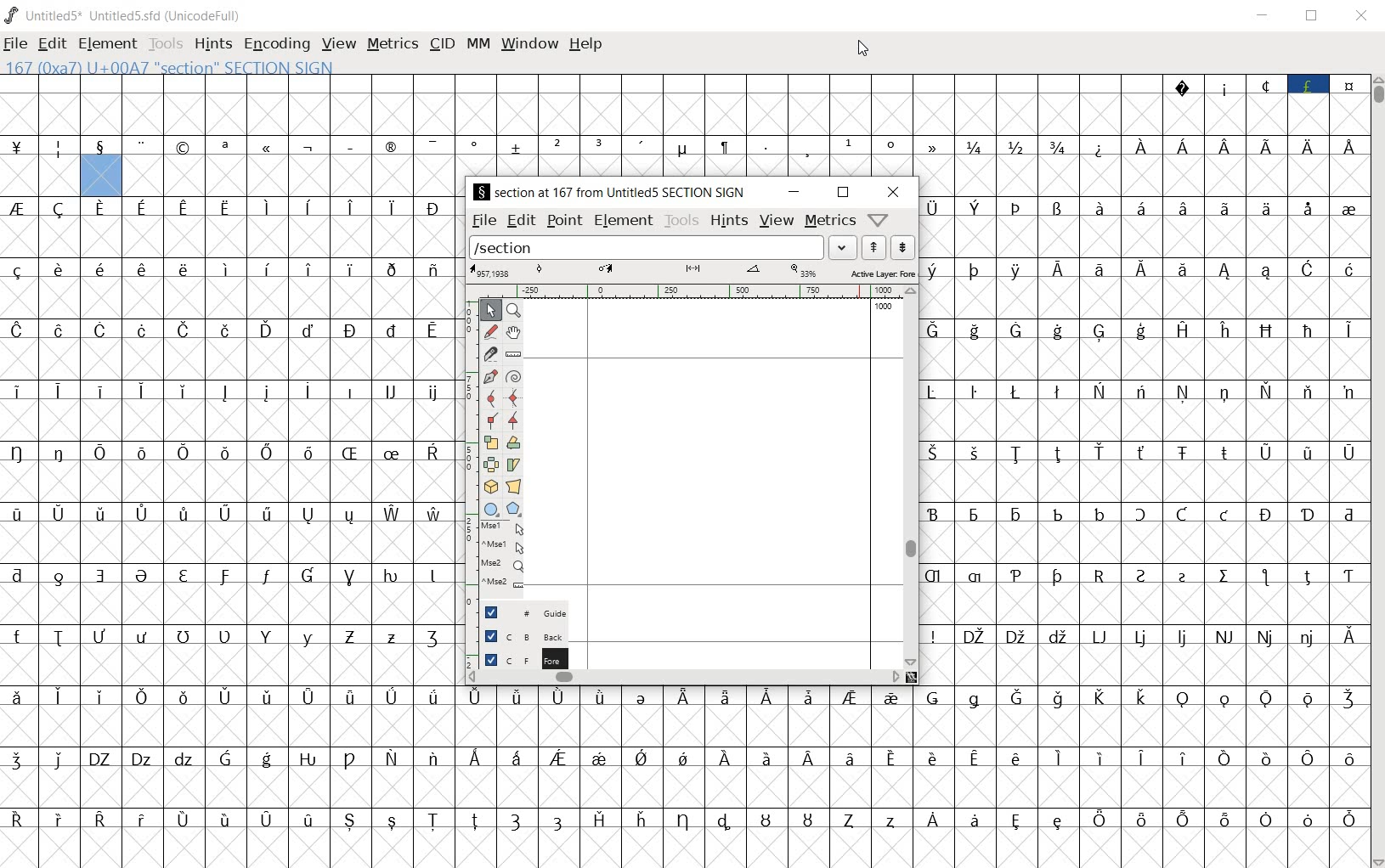  I want to click on empty cells, so click(1146, 362).